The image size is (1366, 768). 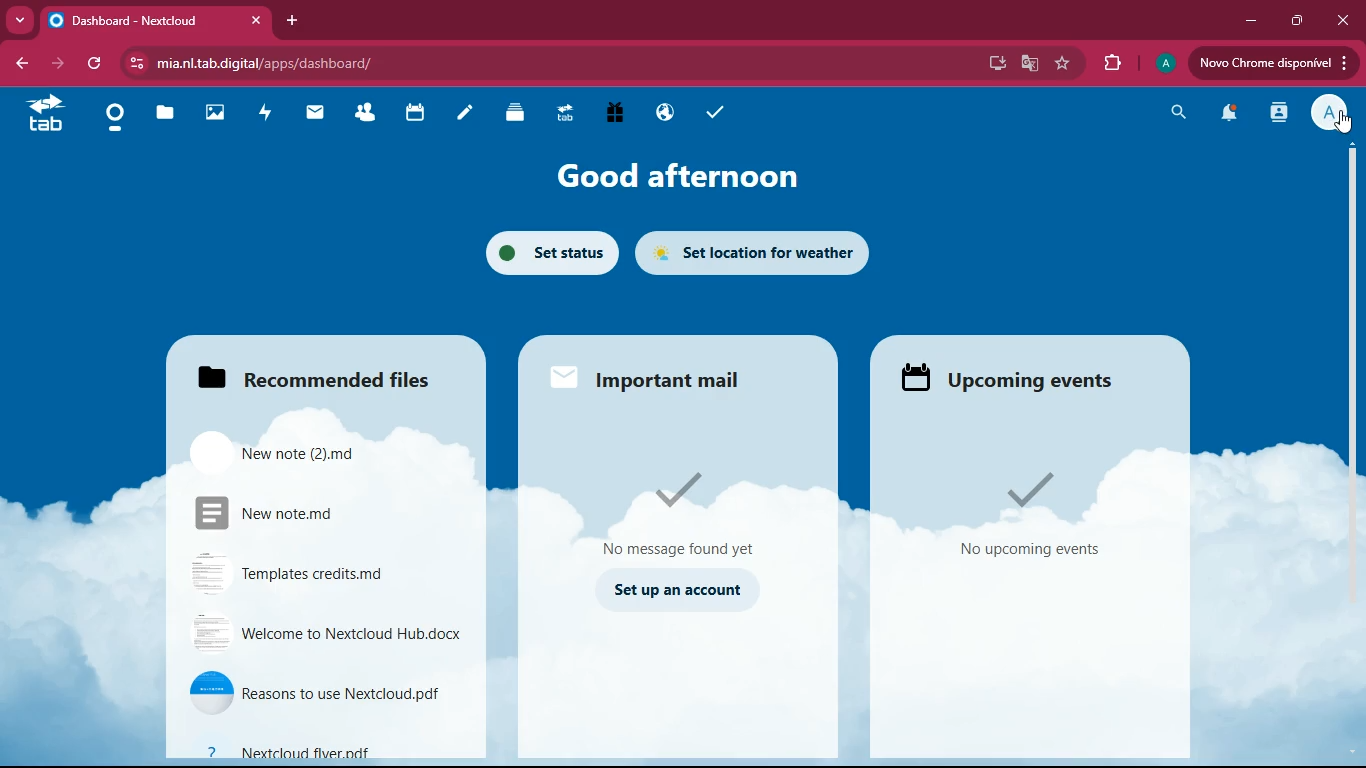 I want to click on google , so click(x=1025, y=64).